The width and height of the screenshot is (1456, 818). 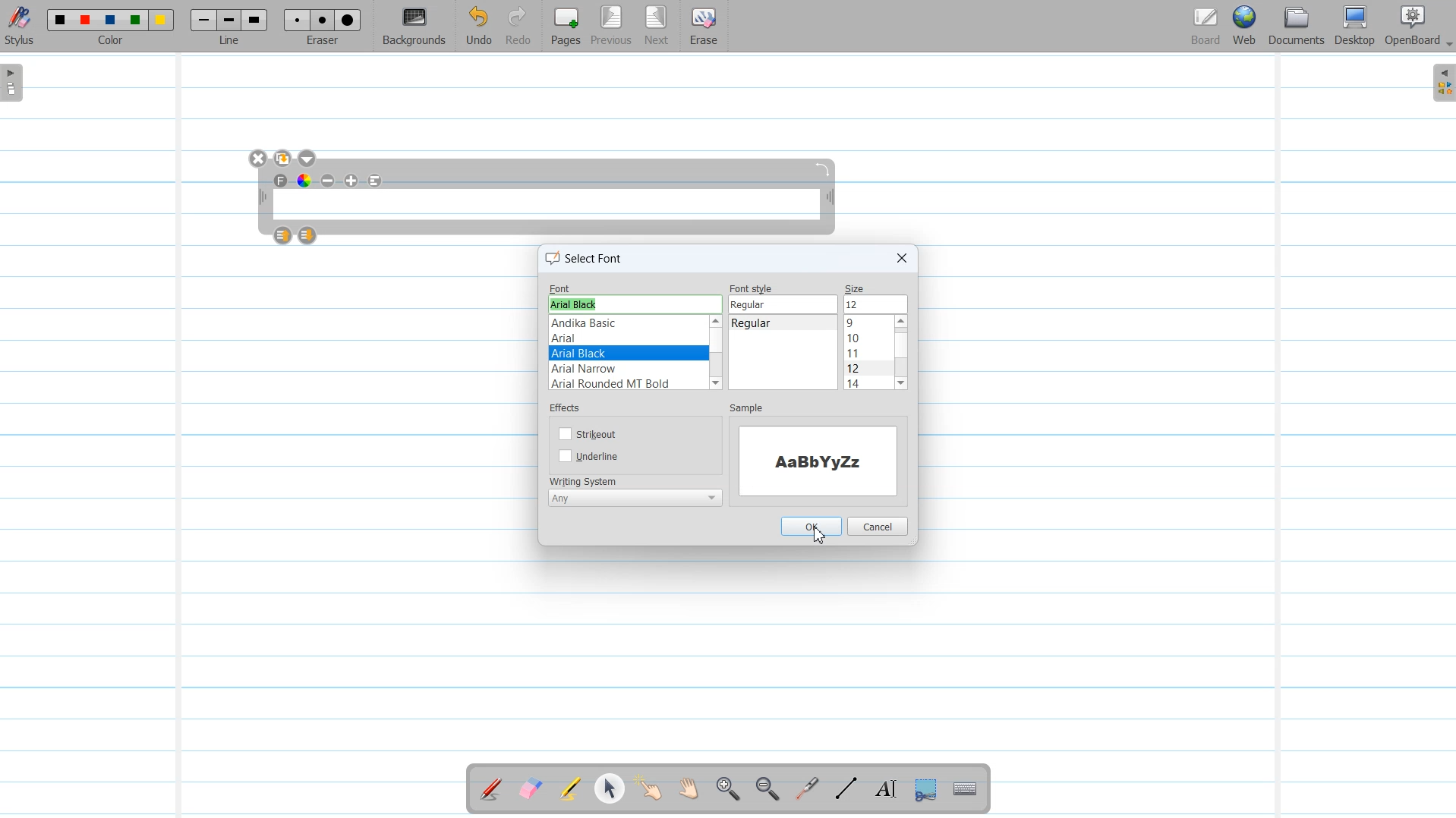 What do you see at coordinates (585, 480) in the screenshot?
I see `writing system` at bounding box center [585, 480].